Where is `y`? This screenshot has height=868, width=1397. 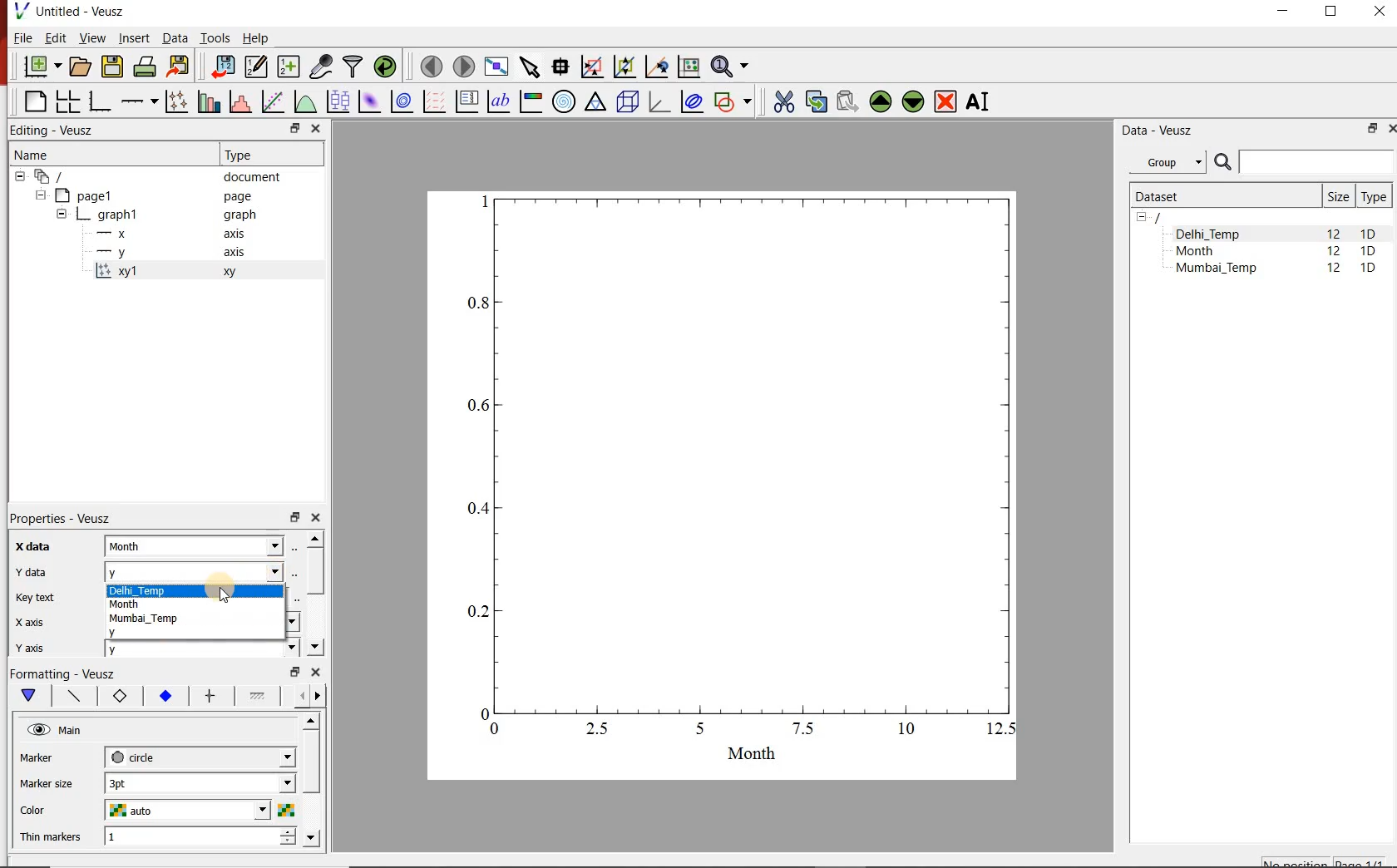 y is located at coordinates (201, 651).